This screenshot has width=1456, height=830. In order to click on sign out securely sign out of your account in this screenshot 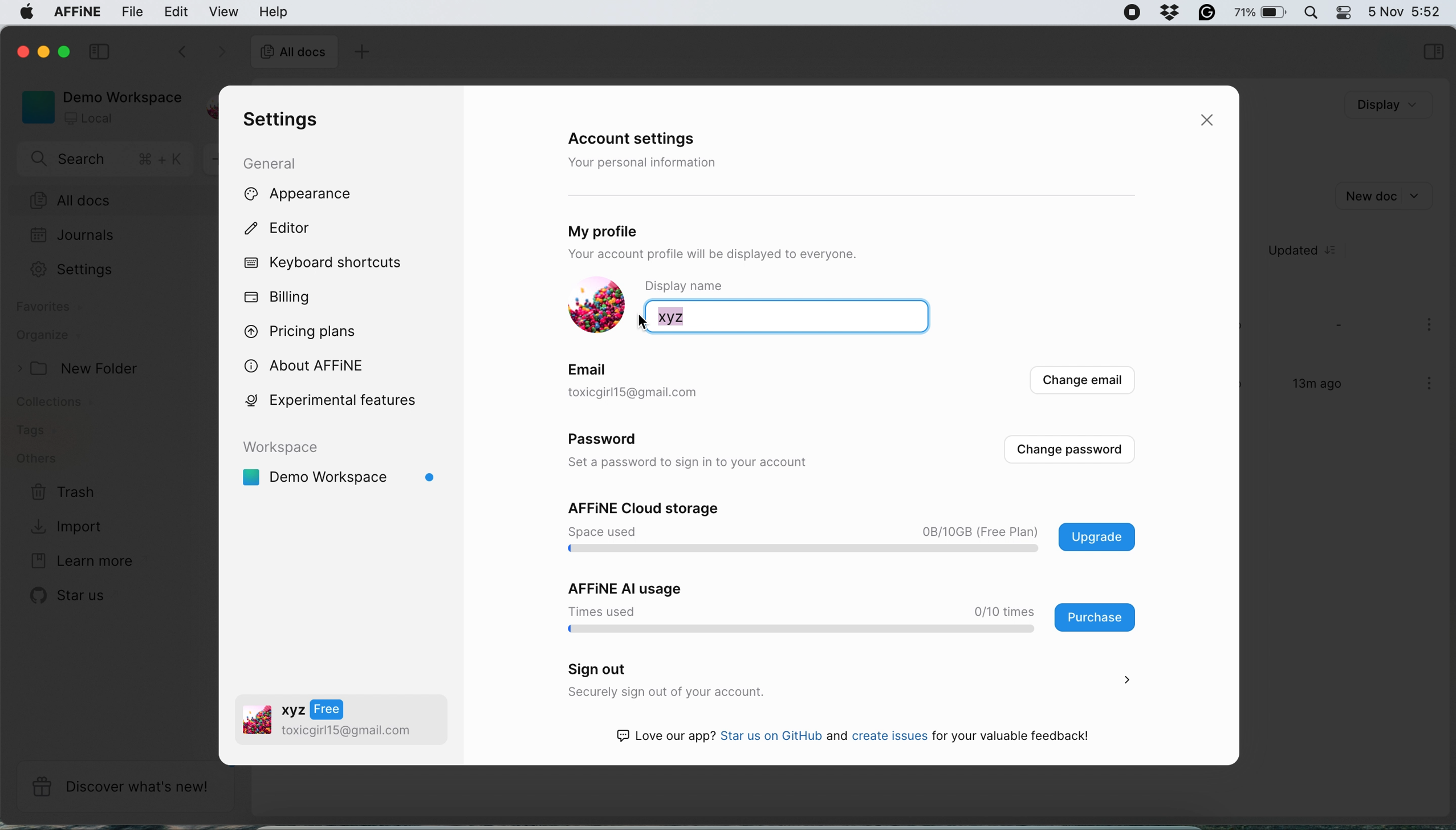, I will do `click(845, 681)`.